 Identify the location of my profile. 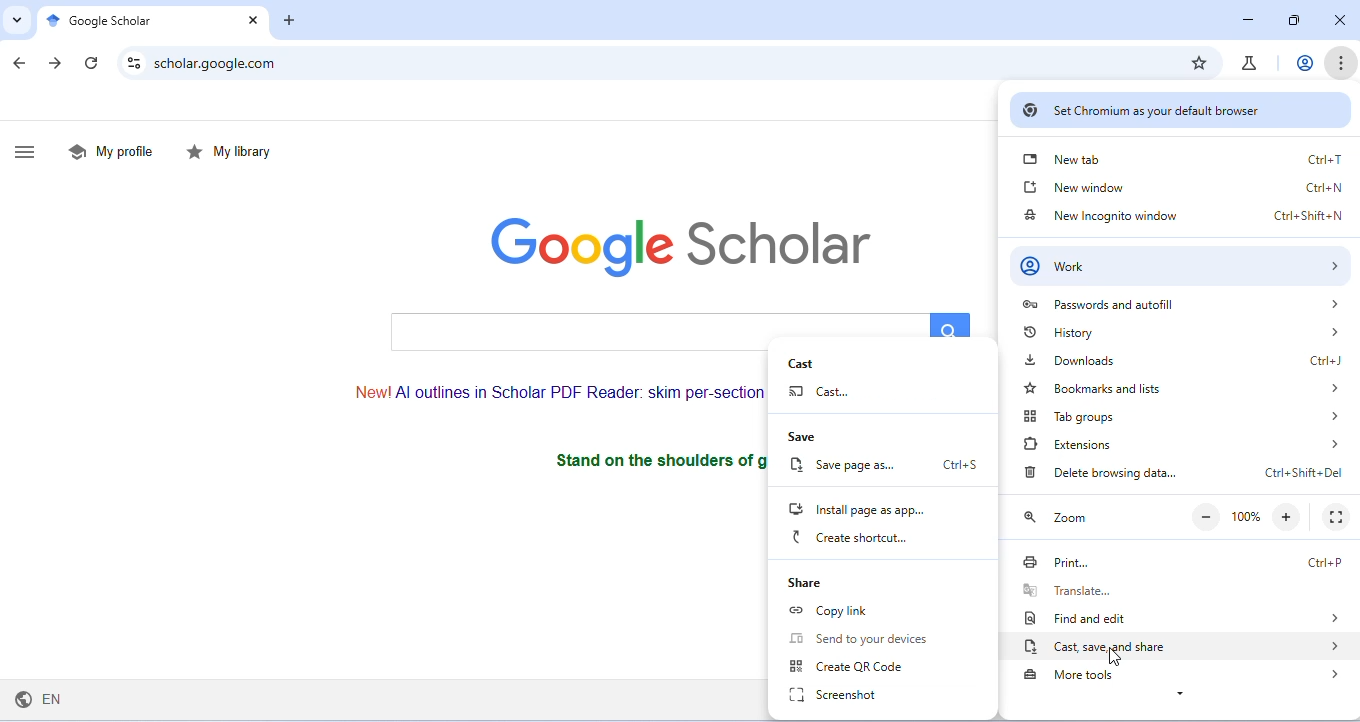
(111, 150).